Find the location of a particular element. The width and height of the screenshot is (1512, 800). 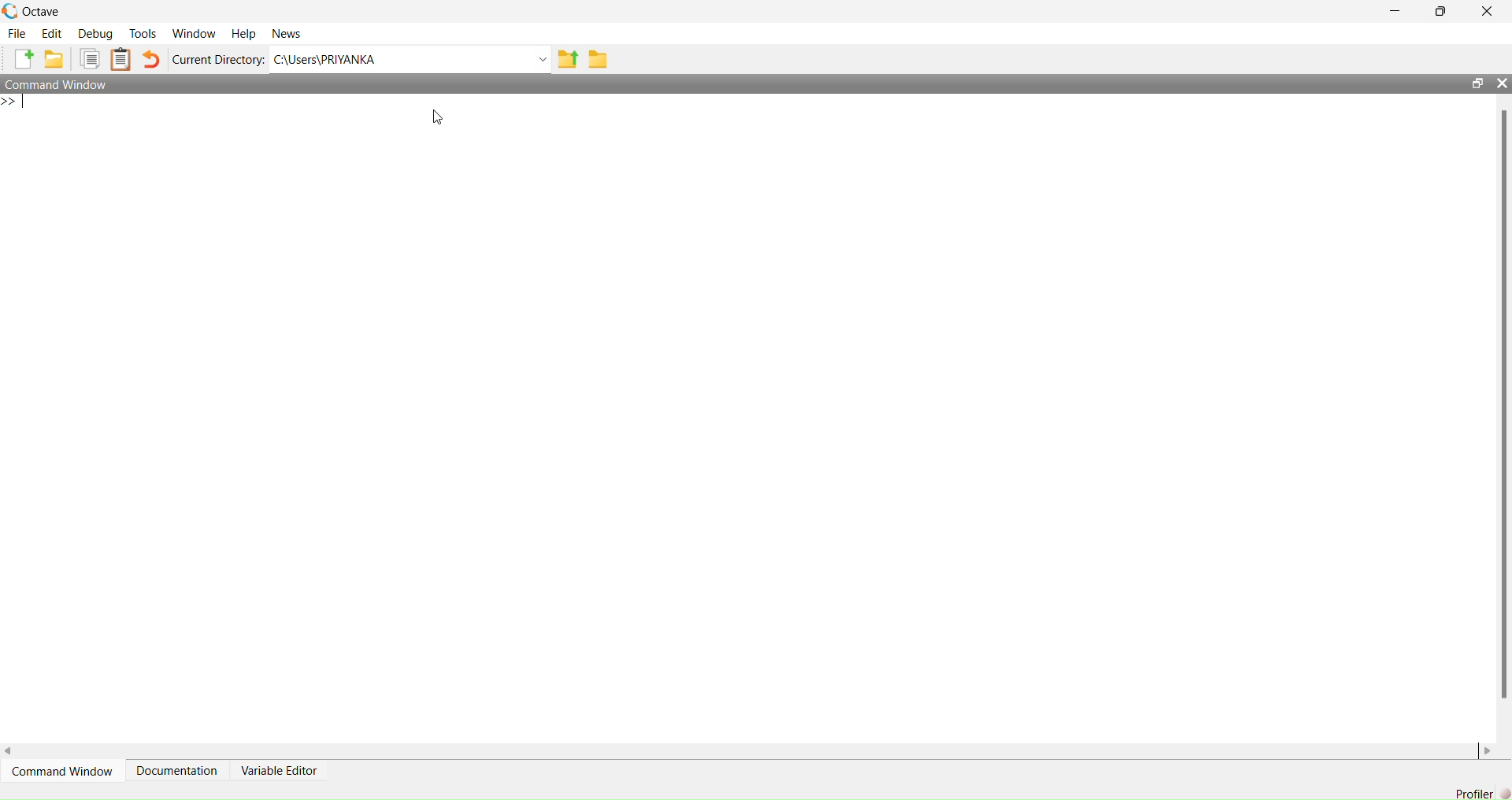

edit is located at coordinates (52, 35).